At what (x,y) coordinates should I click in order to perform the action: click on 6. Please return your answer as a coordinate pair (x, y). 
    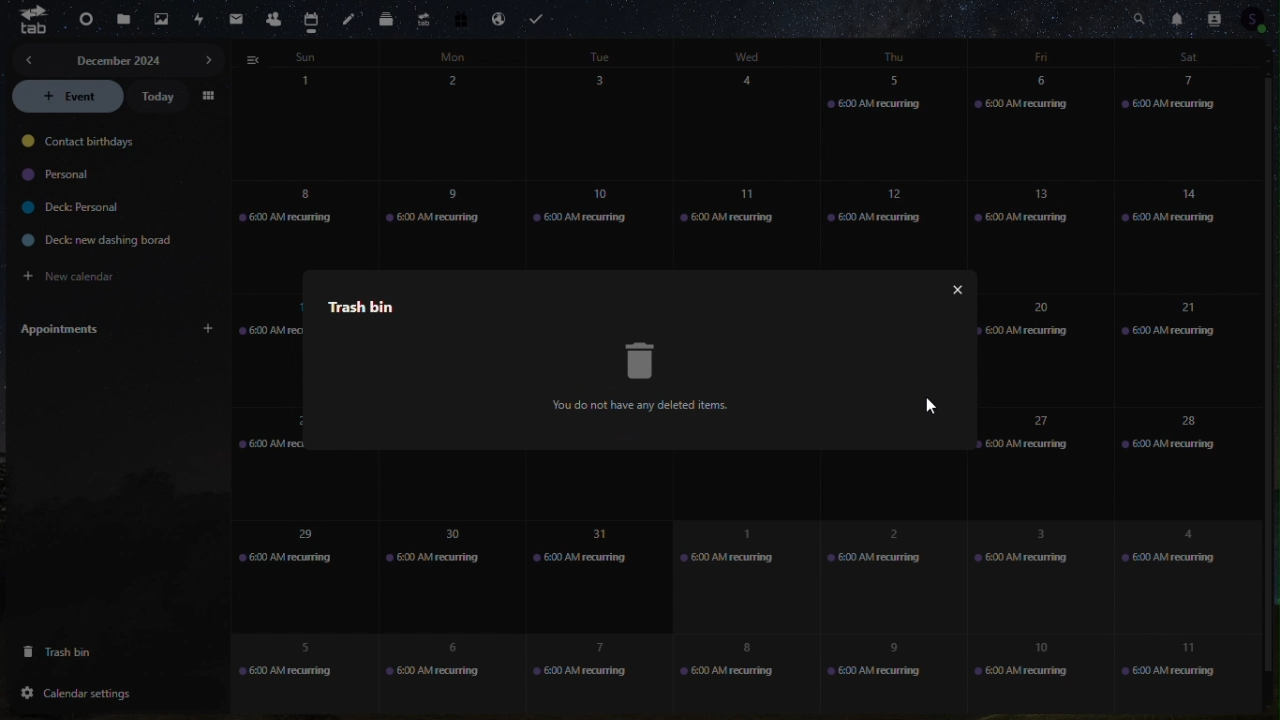
    Looking at the image, I should click on (1038, 125).